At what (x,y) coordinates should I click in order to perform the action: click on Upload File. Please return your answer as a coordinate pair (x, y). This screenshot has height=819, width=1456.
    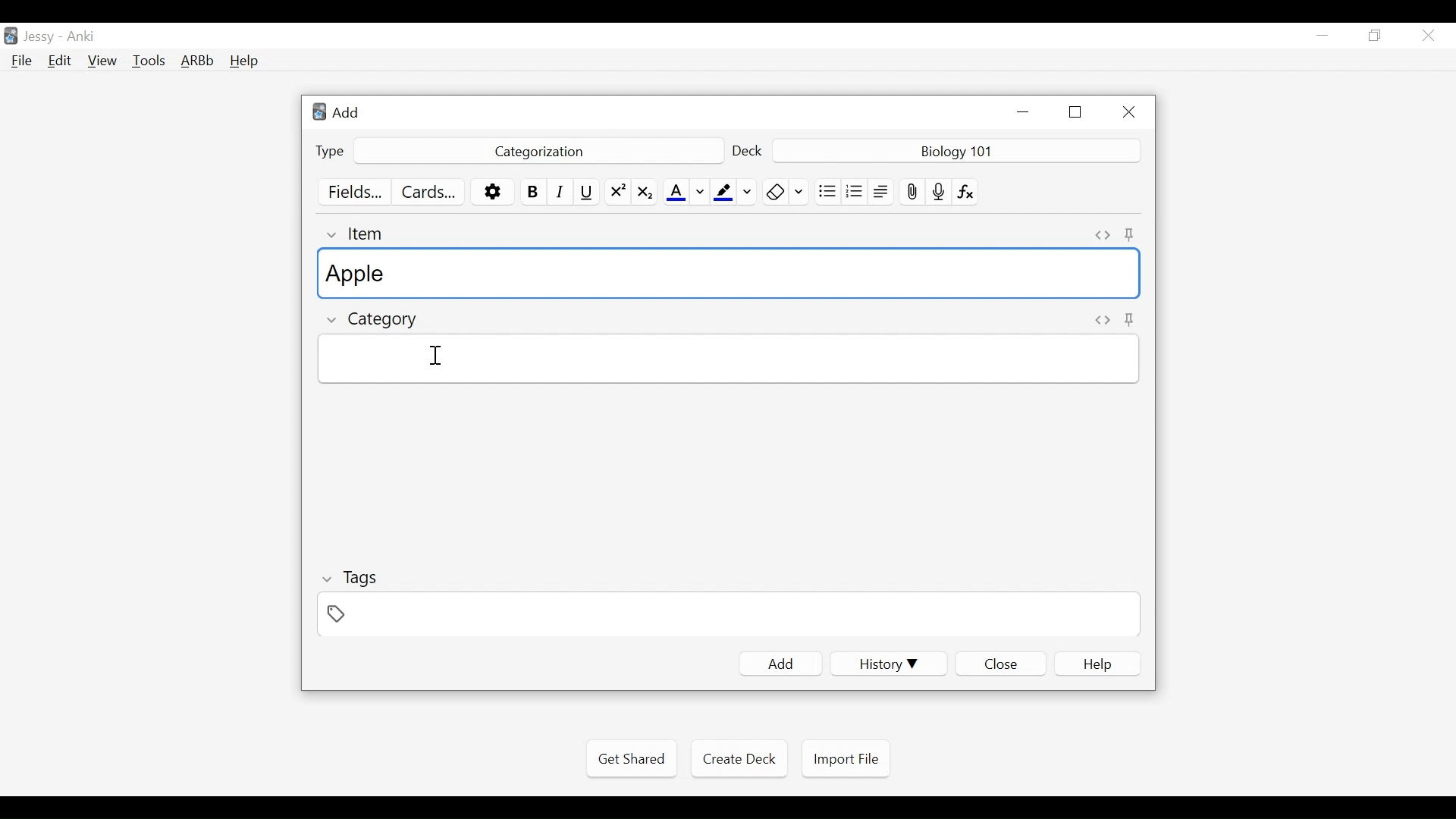
    Looking at the image, I should click on (912, 192).